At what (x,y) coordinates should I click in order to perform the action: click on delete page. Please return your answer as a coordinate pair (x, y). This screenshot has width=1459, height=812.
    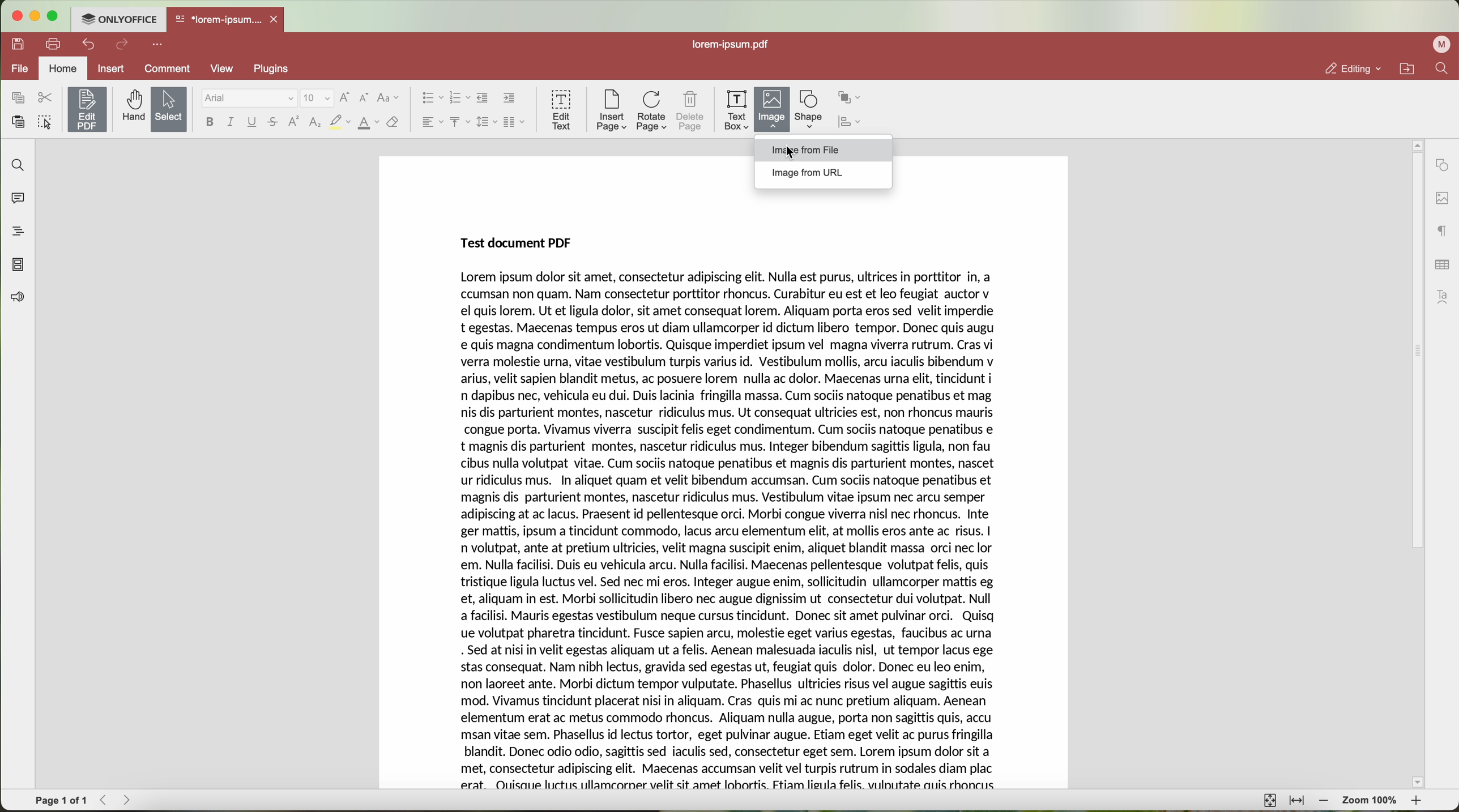
    Looking at the image, I should click on (691, 113).